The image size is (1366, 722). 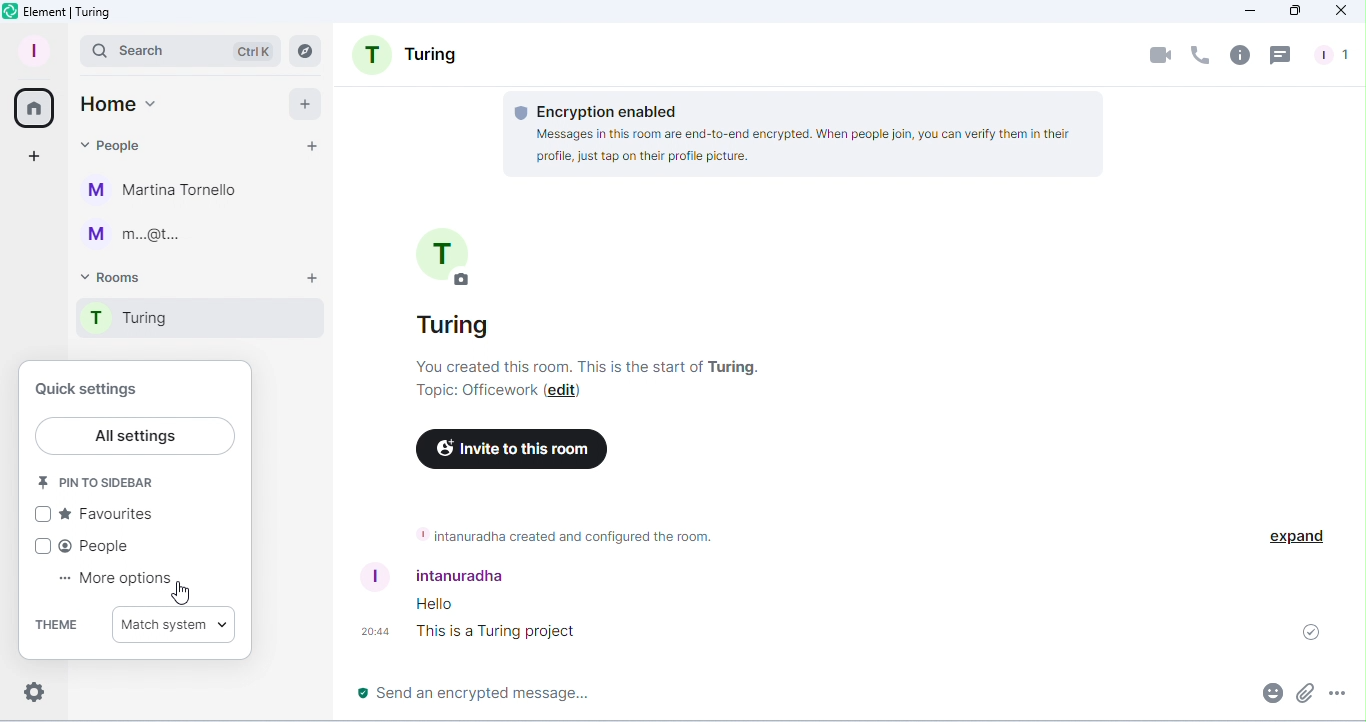 What do you see at coordinates (180, 593) in the screenshot?
I see `Cursor` at bounding box center [180, 593].